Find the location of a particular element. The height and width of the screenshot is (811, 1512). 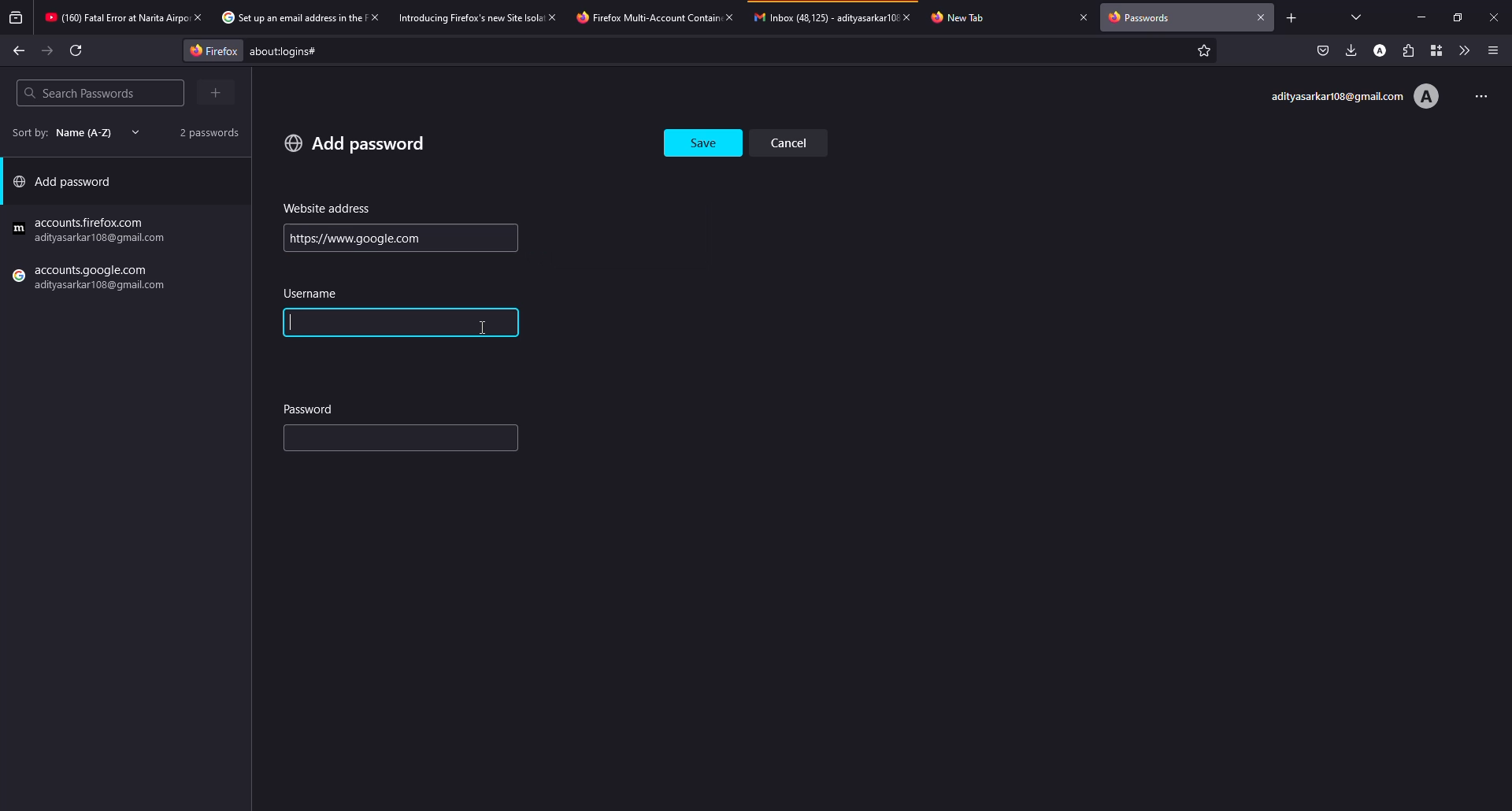

password is located at coordinates (310, 408).